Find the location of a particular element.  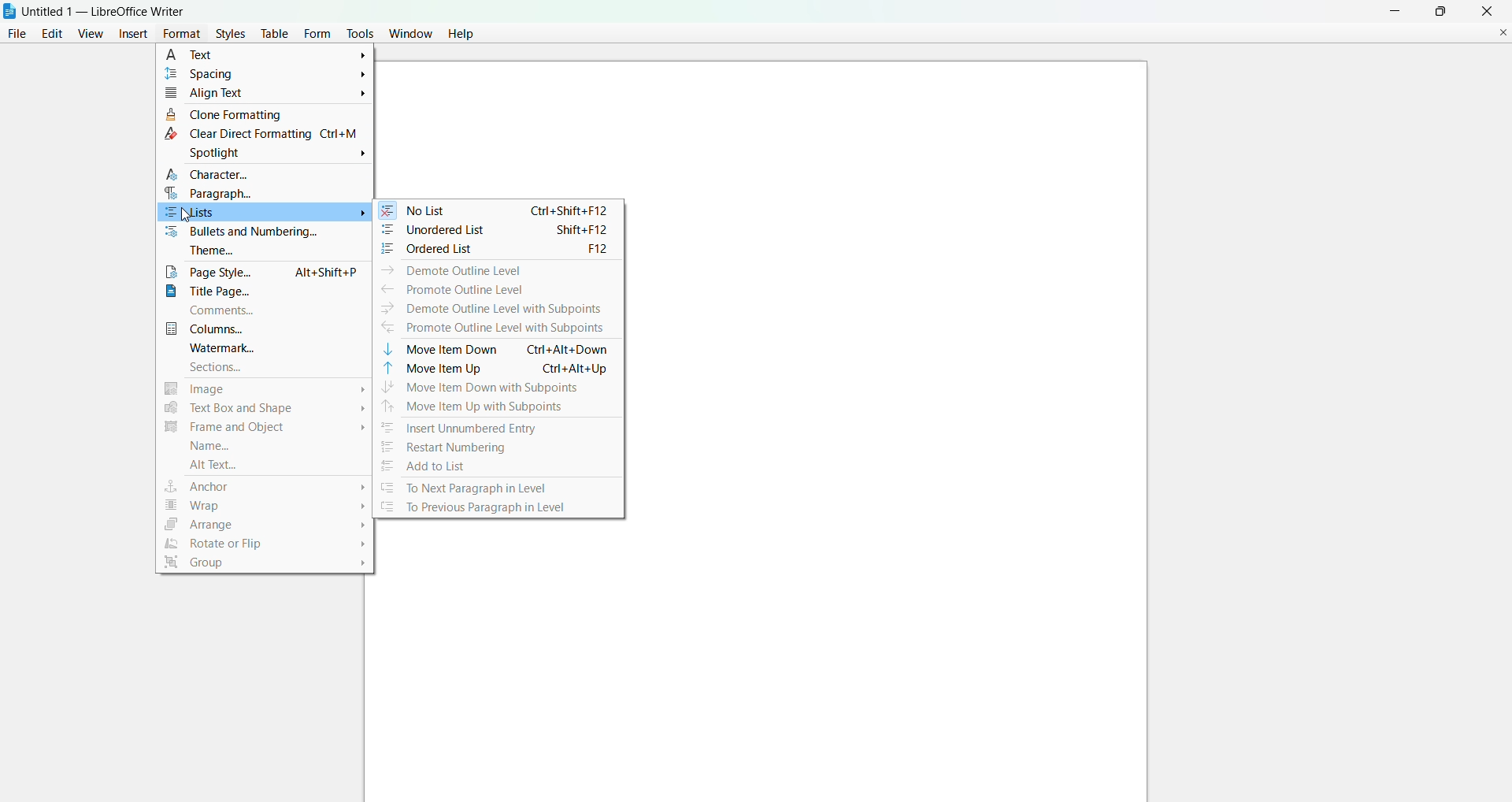

page style Alt+Shift+P is located at coordinates (269, 274).